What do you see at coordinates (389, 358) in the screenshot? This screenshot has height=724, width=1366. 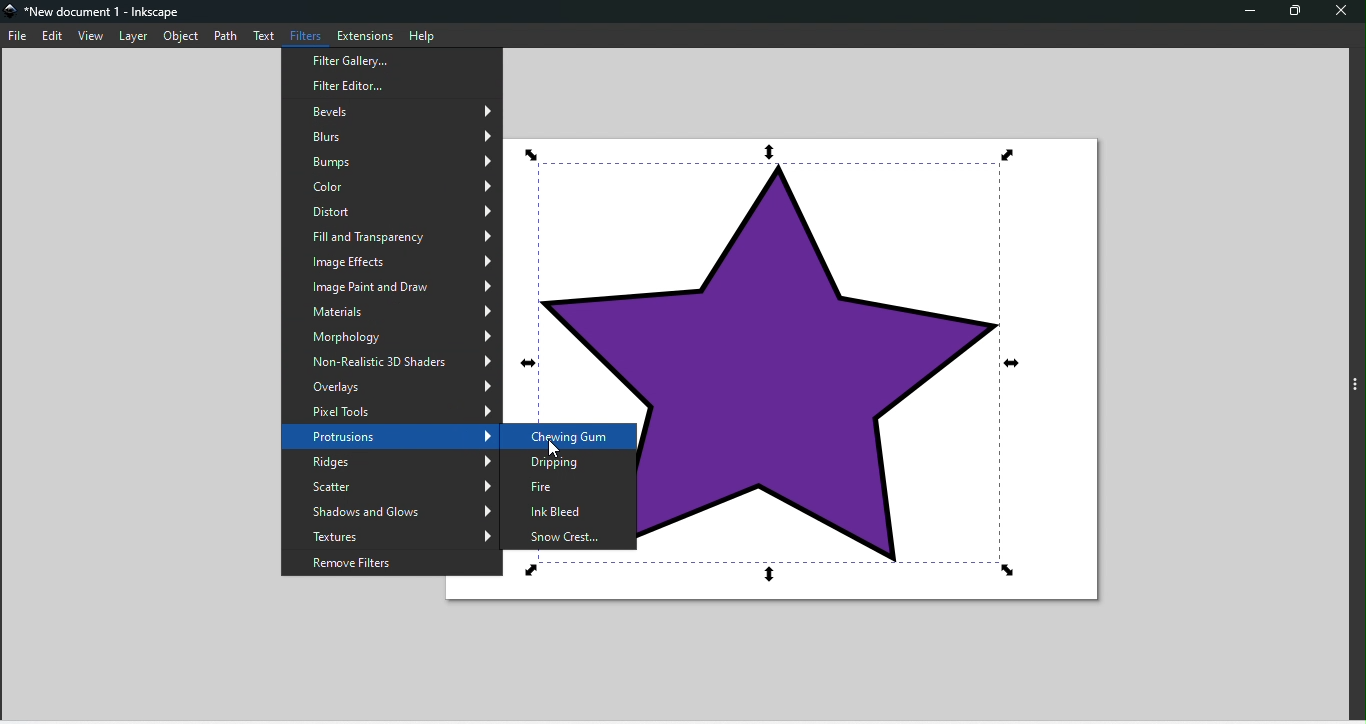 I see `Non-realistic 3D Shades` at bounding box center [389, 358].